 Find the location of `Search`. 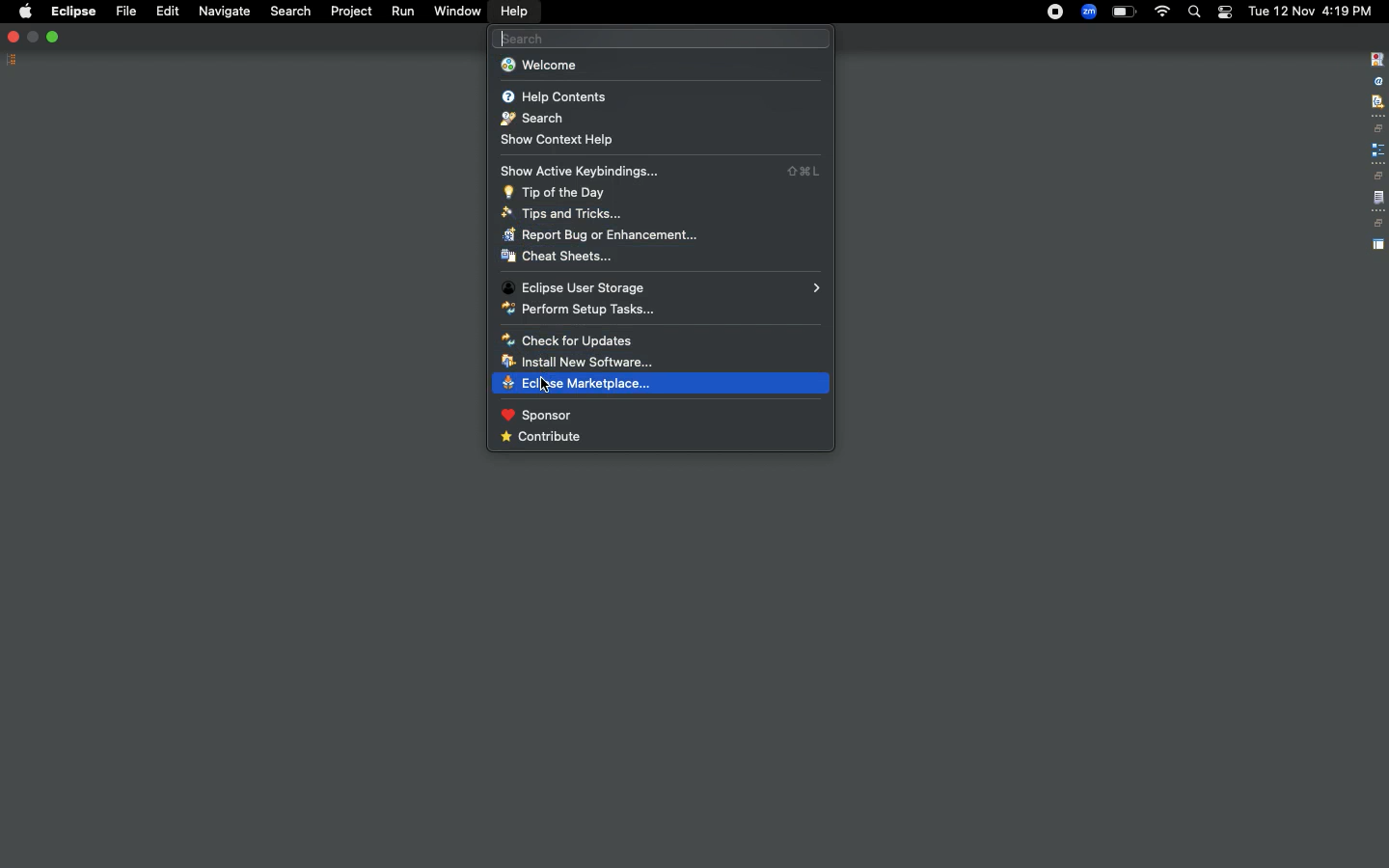

Search is located at coordinates (1193, 12).